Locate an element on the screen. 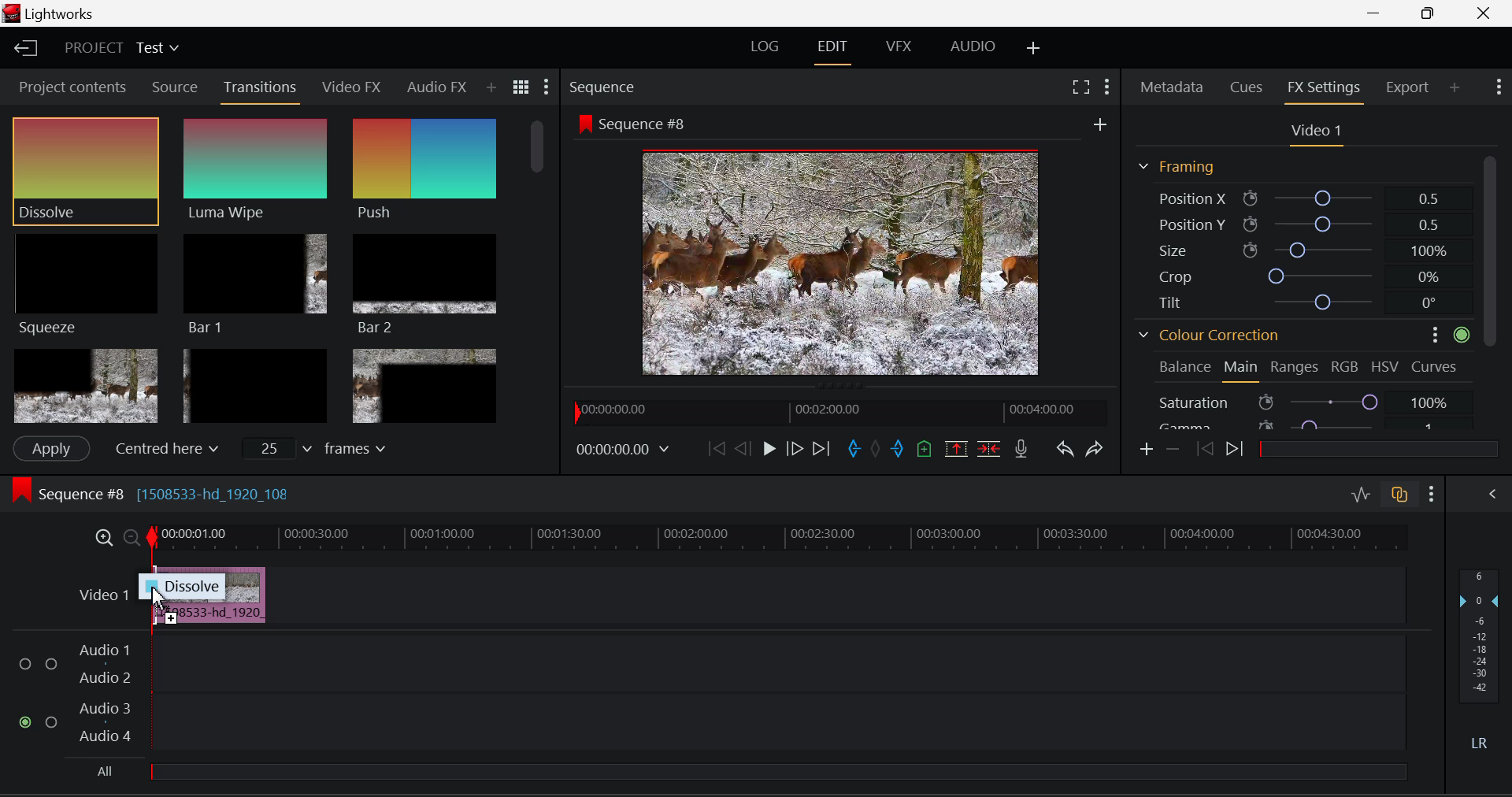  Position Y is located at coordinates (1298, 224).